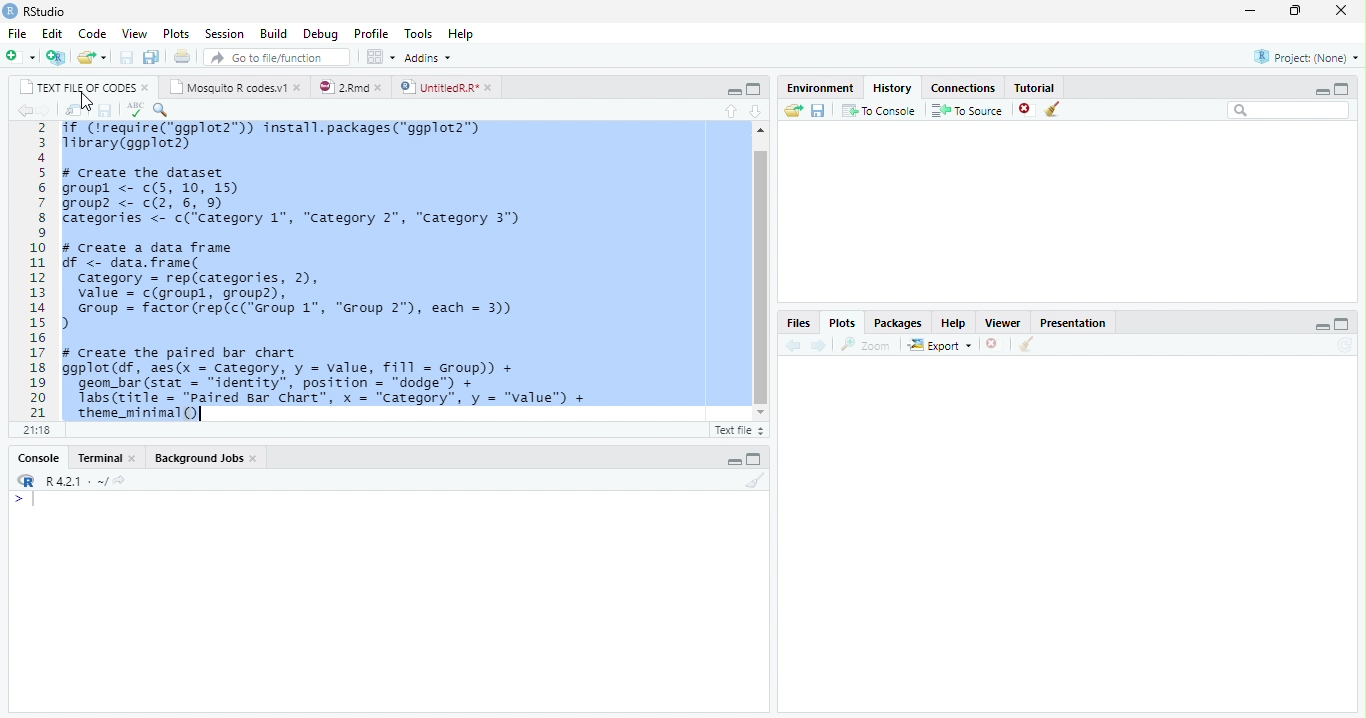 The height and width of the screenshot is (718, 1366). I want to click on maximize, so click(1295, 11).